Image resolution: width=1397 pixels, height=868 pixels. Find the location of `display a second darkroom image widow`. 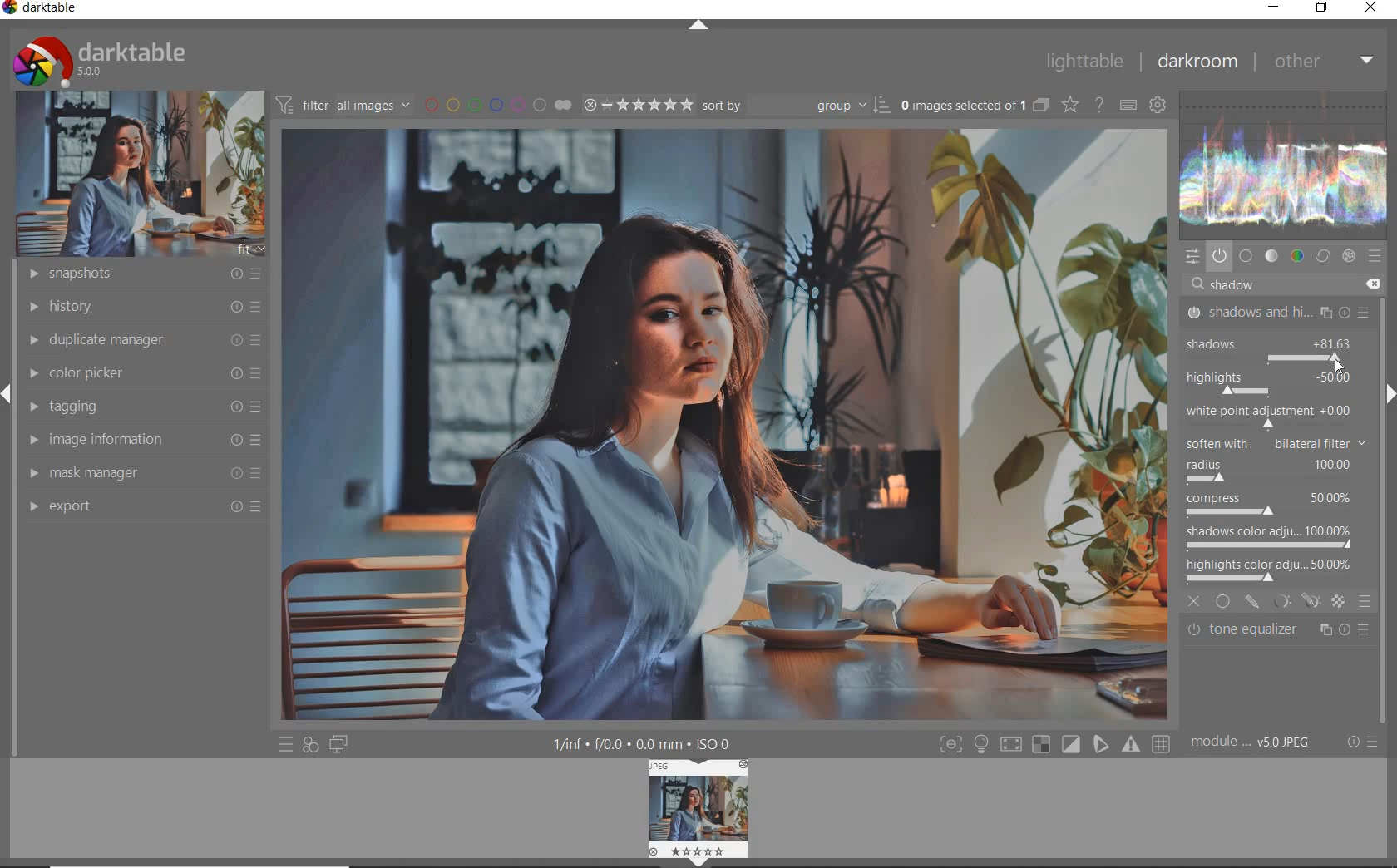

display a second darkroom image widow is located at coordinates (342, 746).